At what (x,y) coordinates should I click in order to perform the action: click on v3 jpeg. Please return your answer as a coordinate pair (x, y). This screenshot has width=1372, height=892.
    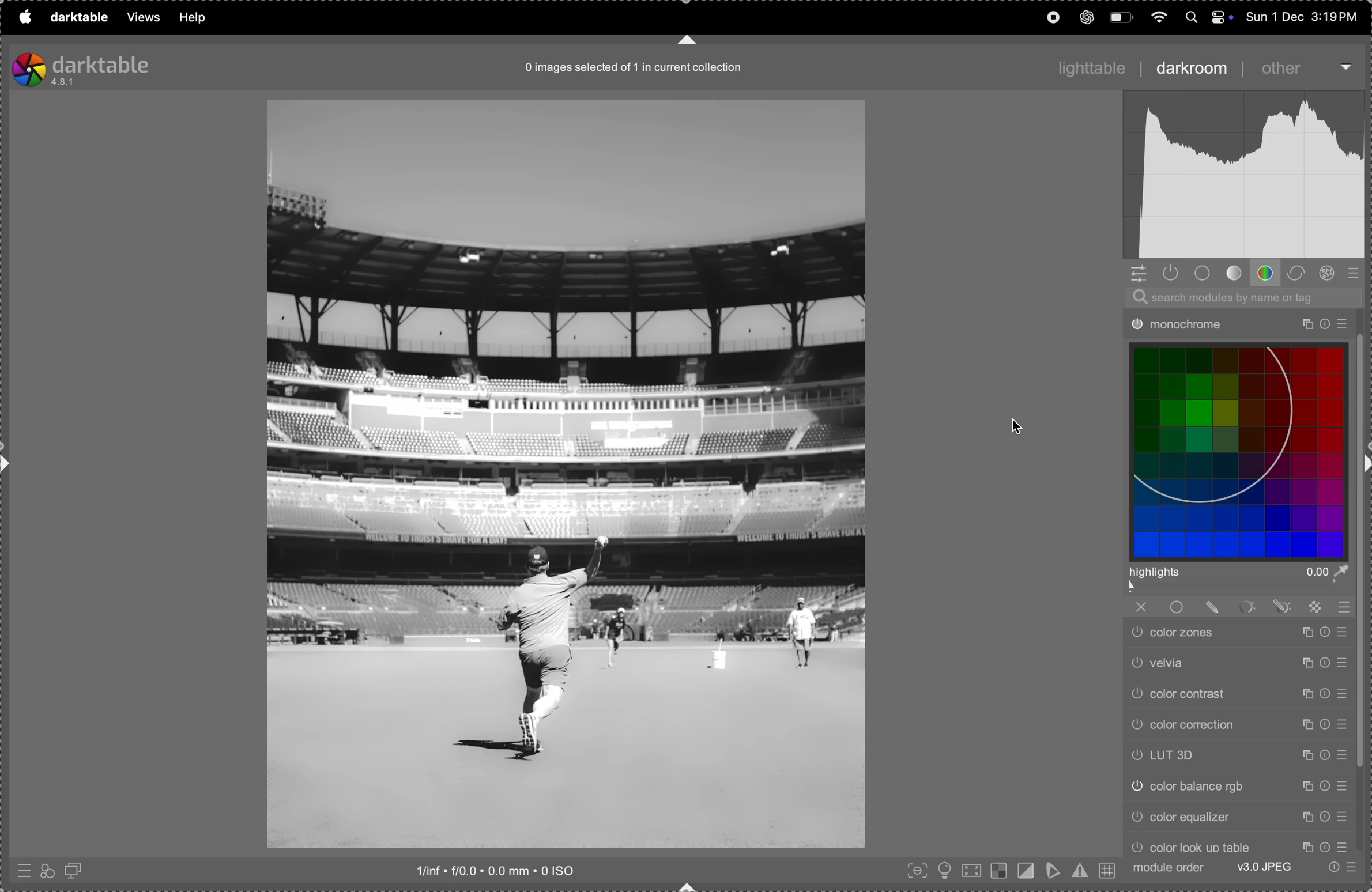
    Looking at the image, I should click on (1262, 867).